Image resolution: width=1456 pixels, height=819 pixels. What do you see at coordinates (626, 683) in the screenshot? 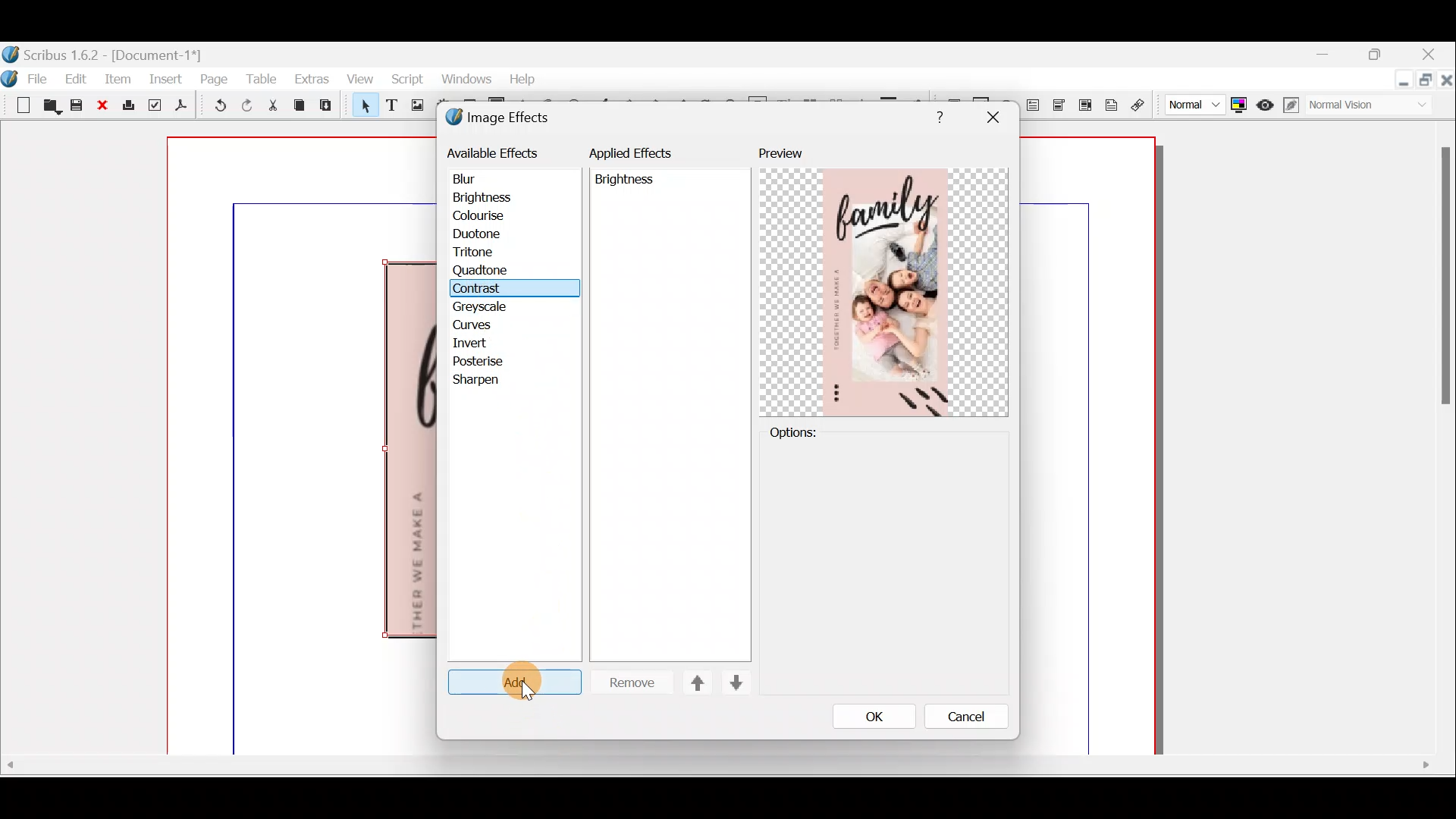
I see `Remove` at bounding box center [626, 683].